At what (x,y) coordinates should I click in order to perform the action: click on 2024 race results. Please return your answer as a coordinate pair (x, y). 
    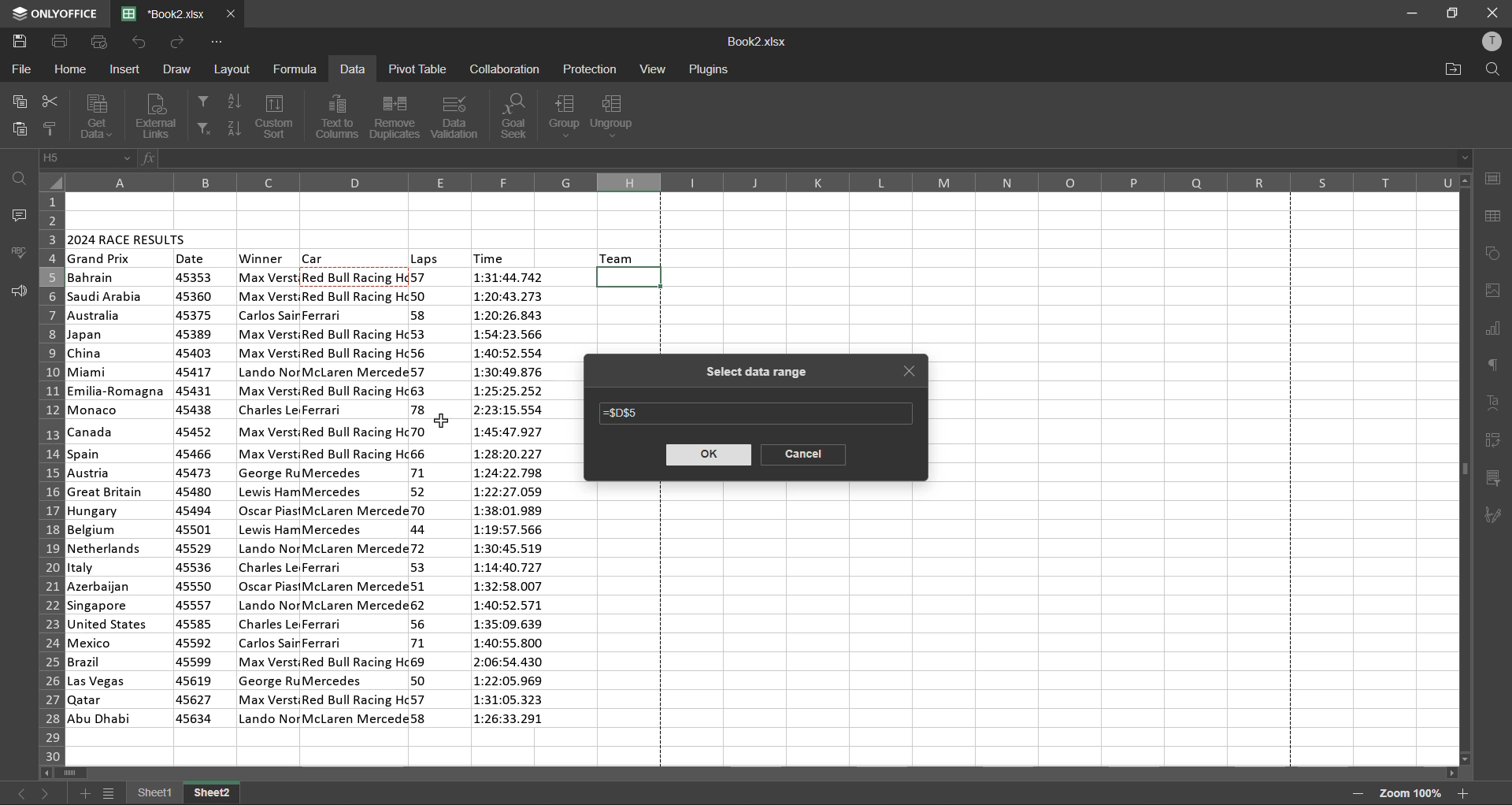
    Looking at the image, I should click on (129, 237).